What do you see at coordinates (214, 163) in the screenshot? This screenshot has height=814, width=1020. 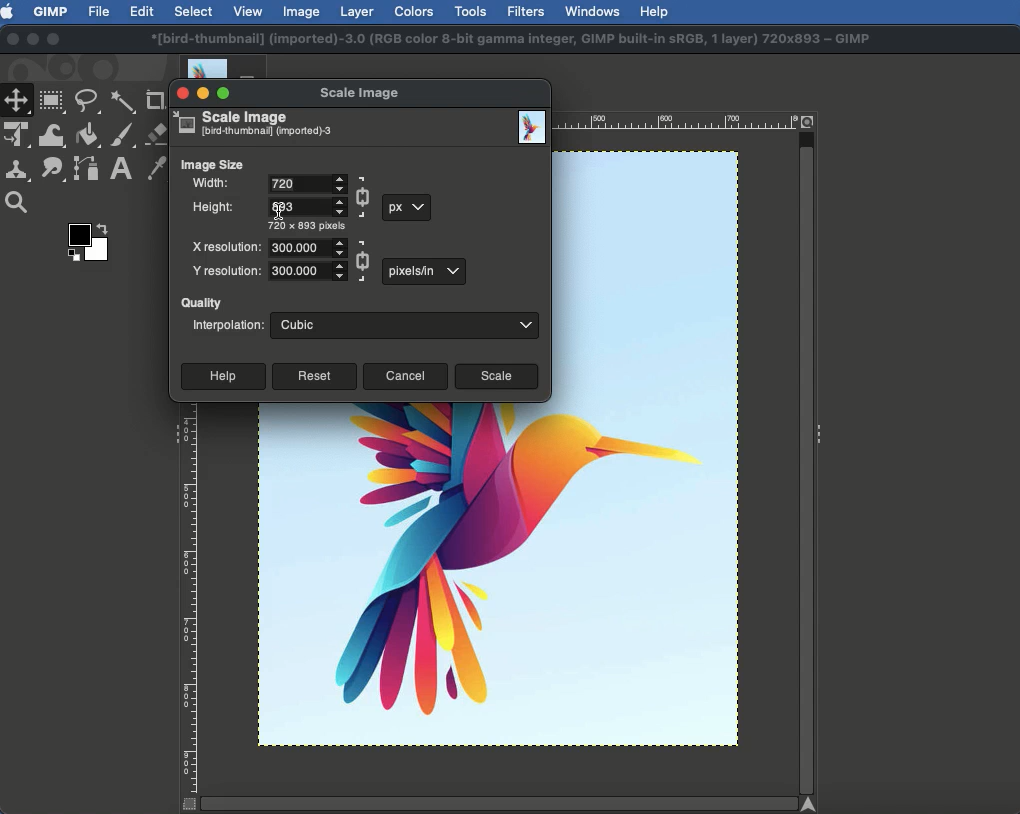 I see `Image size` at bounding box center [214, 163].